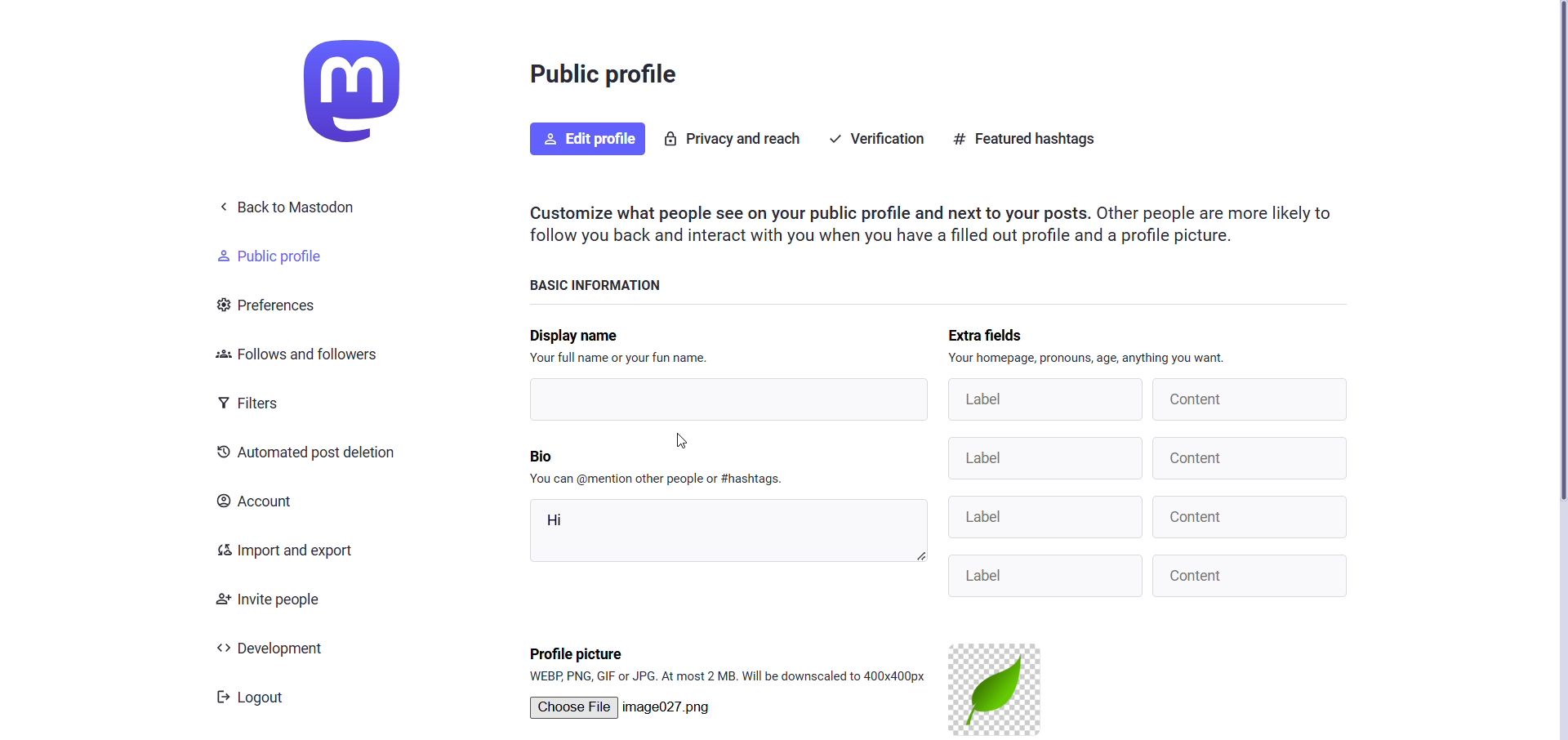  What do you see at coordinates (728, 531) in the screenshot?
I see `hi` at bounding box center [728, 531].